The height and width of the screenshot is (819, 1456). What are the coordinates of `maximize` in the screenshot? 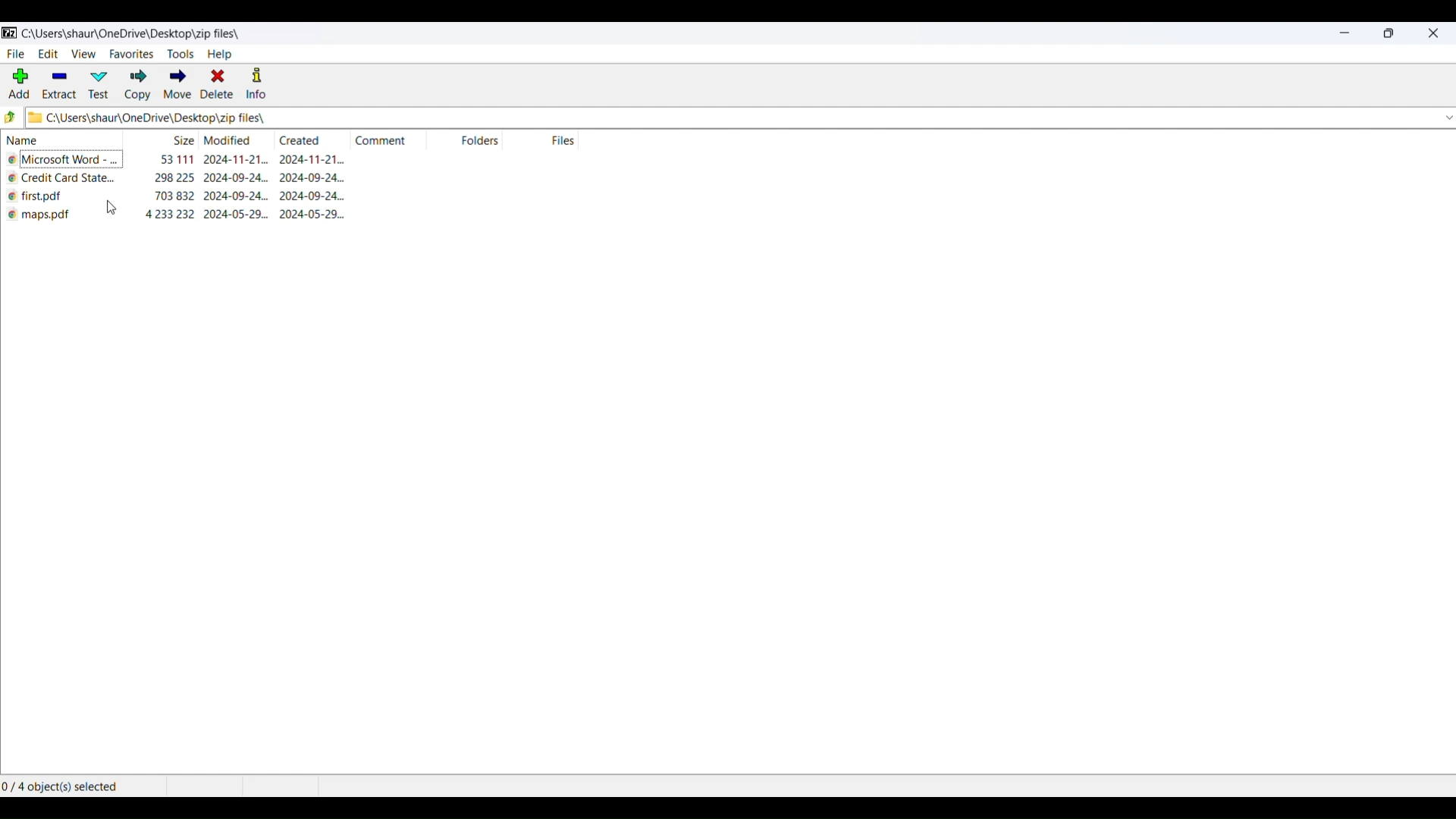 It's located at (1391, 33).